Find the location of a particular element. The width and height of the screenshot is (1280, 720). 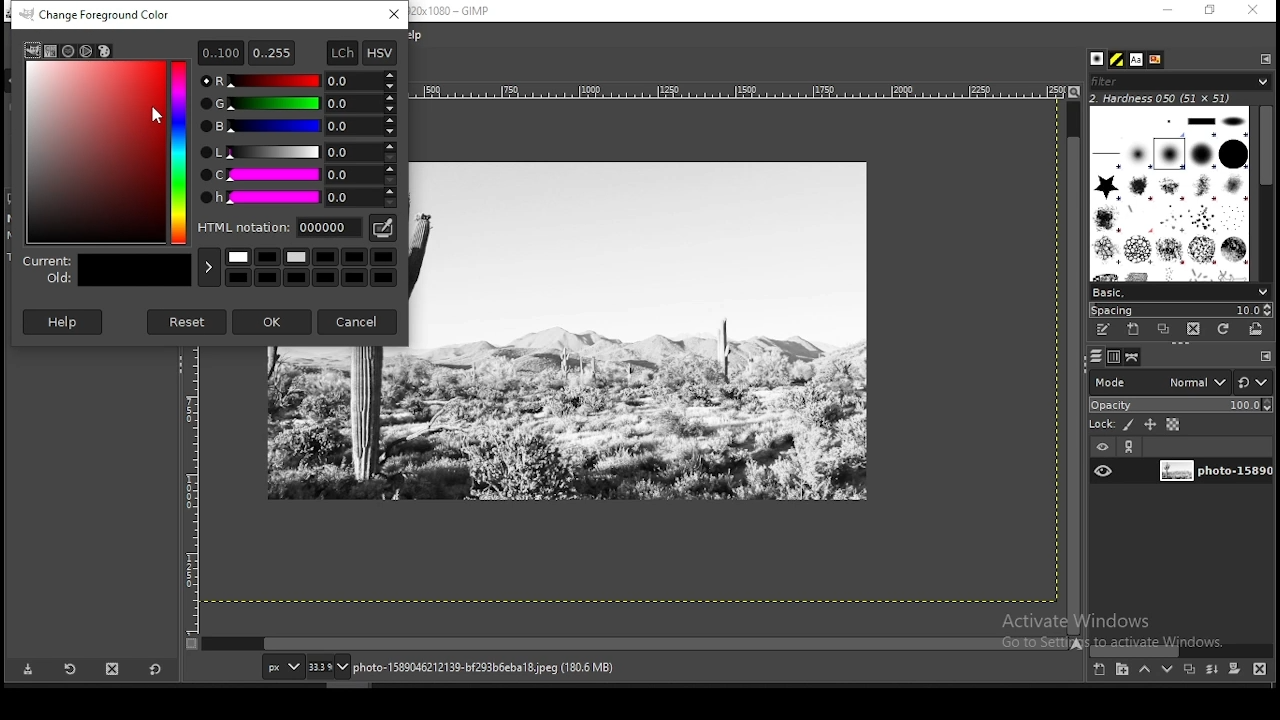

scroll bar is located at coordinates (1074, 366).